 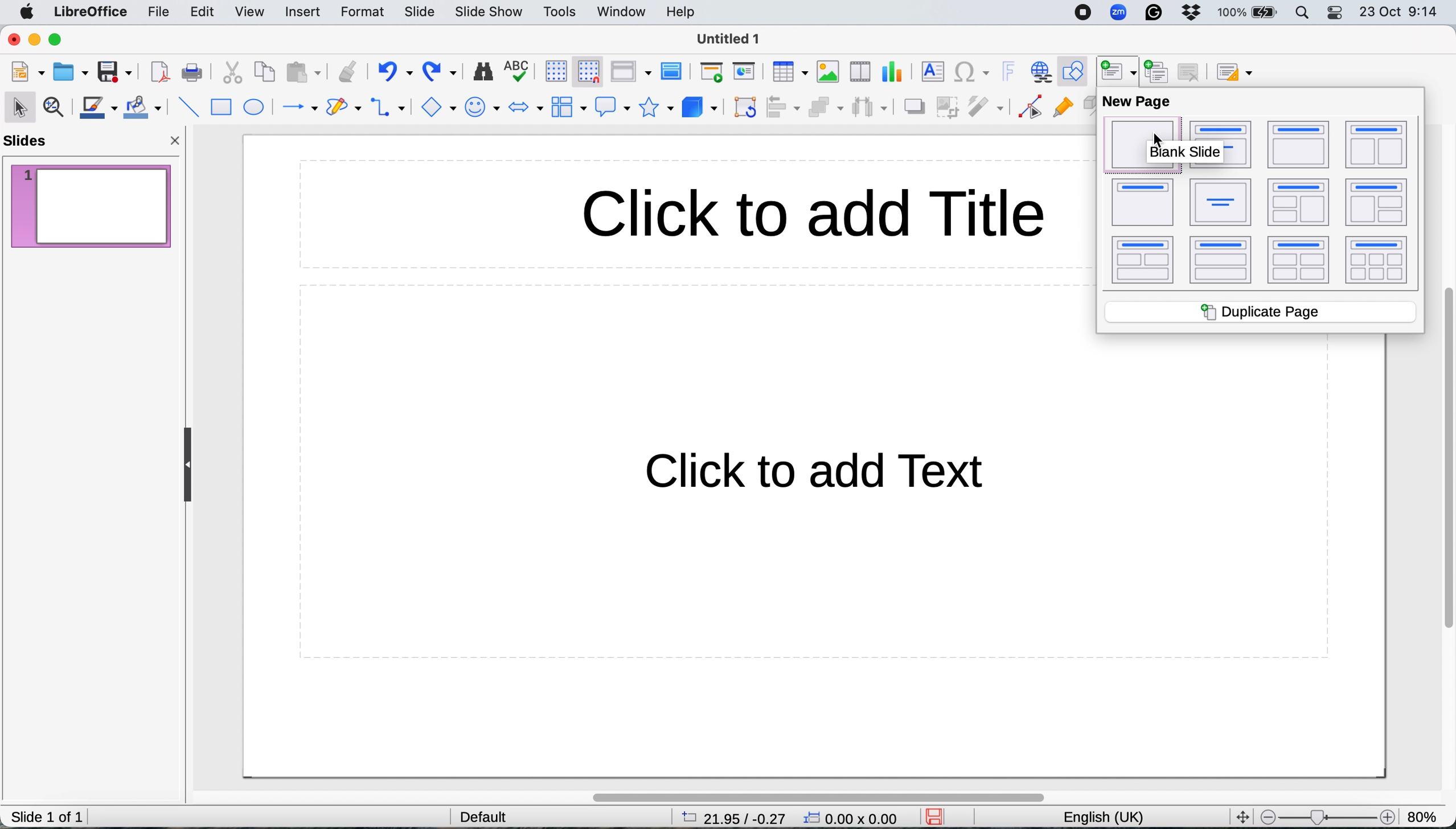 What do you see at coordinates (1142, 201) in the screenshot?
I see `title only` at bounding box center [1142, 201].